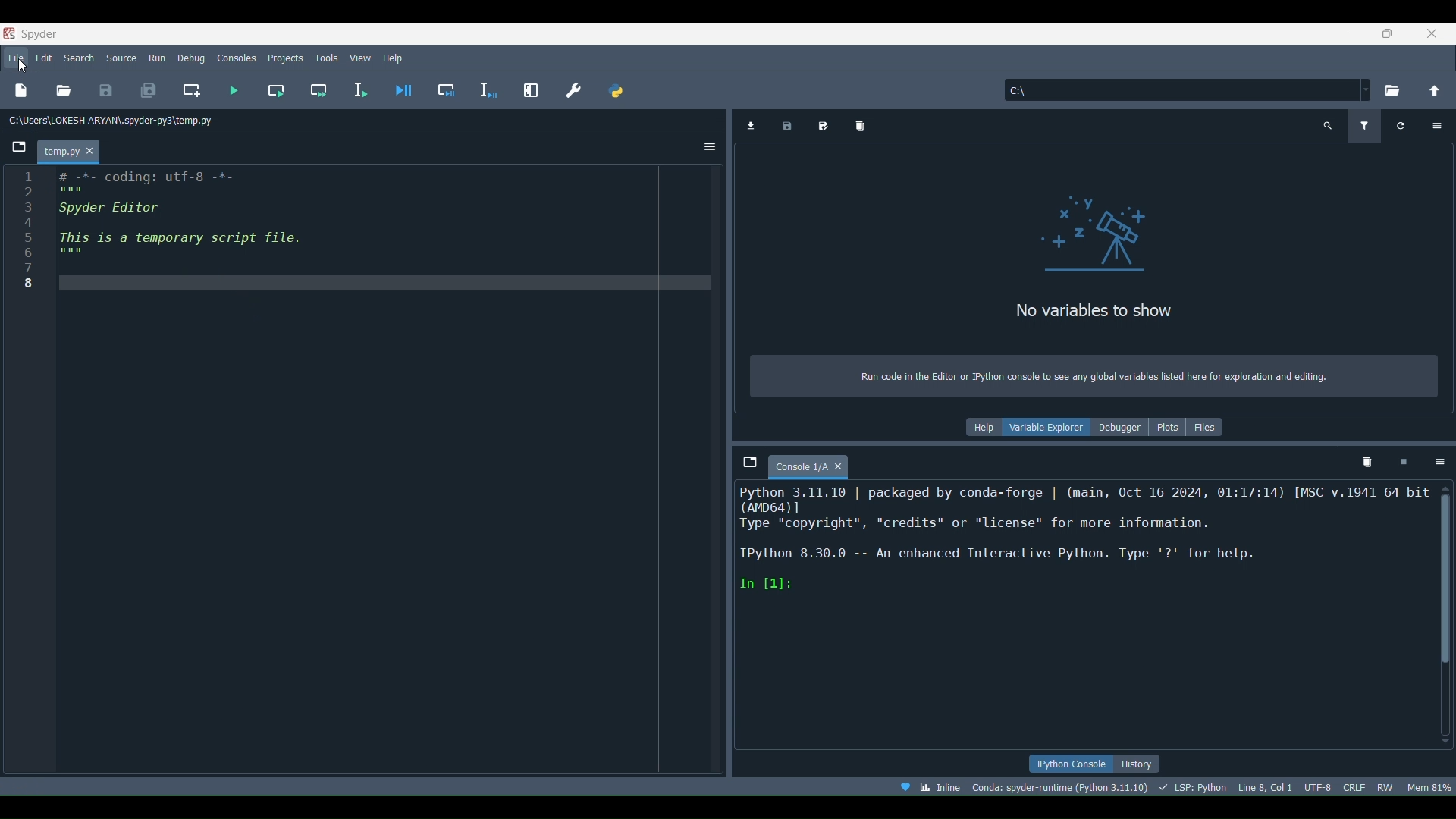 This screenshot has height=819, width=1456. I want to click on Filter variables, so click(1361, 125).